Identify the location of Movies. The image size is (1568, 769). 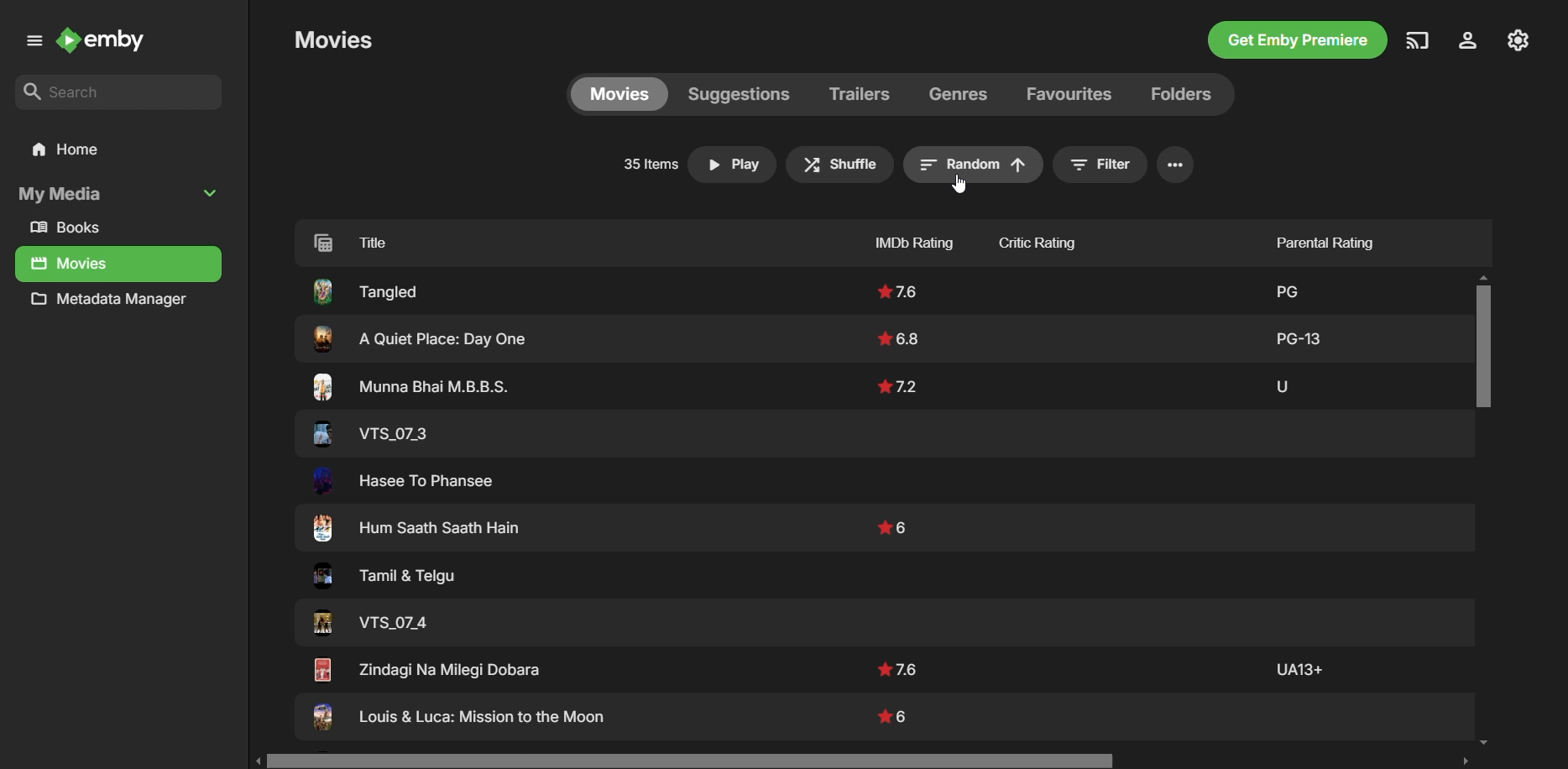
(71, 264).